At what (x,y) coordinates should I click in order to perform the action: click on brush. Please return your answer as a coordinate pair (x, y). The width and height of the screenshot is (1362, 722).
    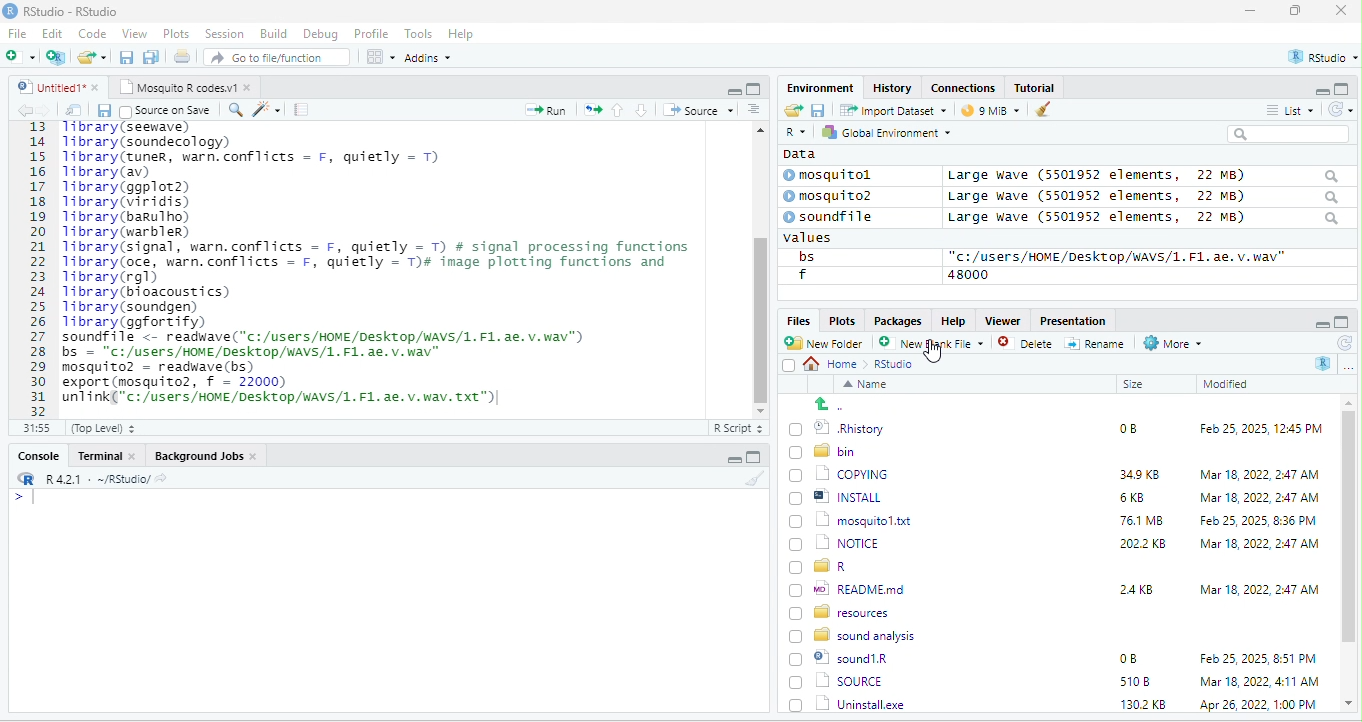
    Looking at the image, I should click on (757, 479).